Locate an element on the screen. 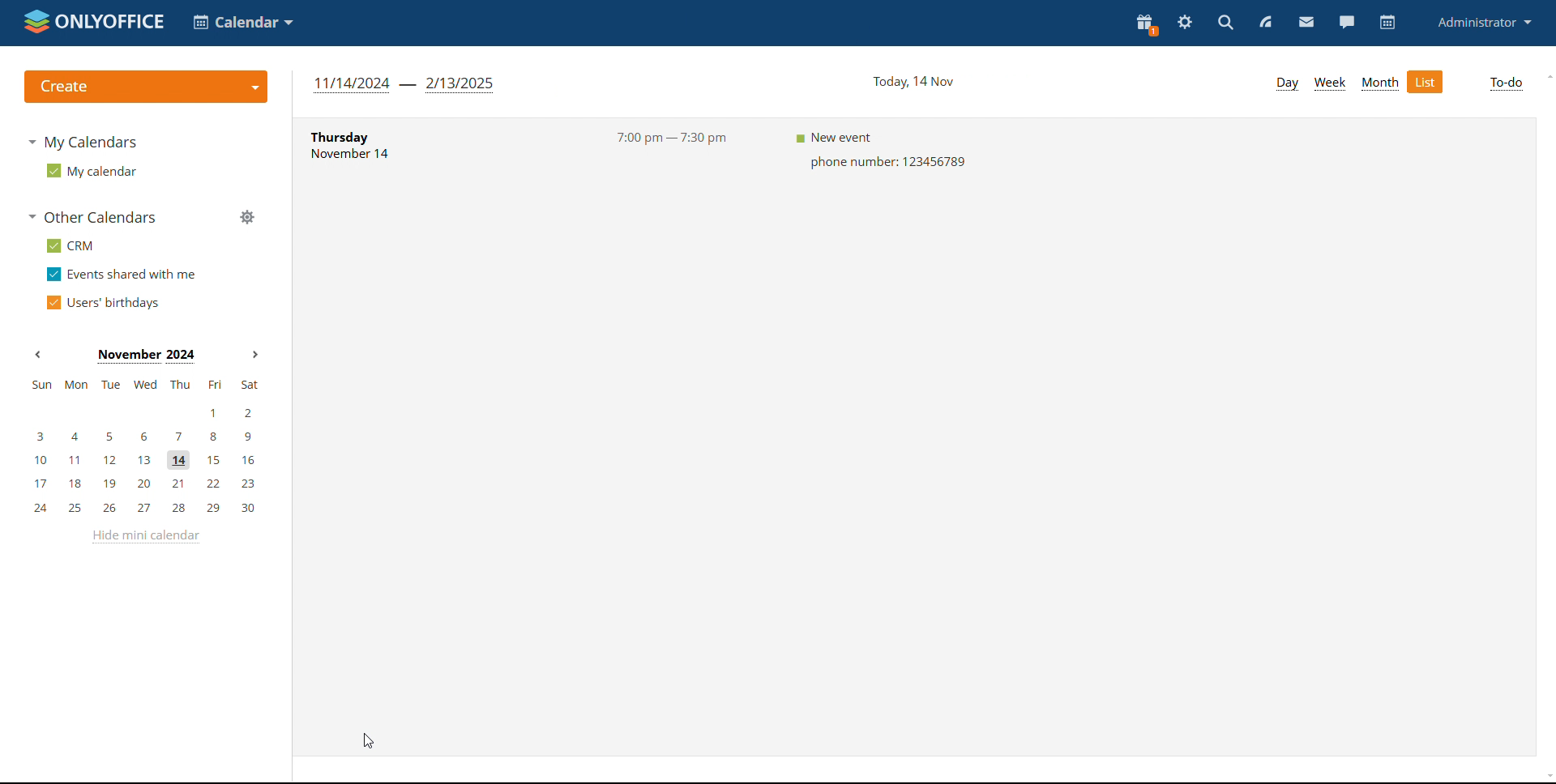 The image size is (1556, 784). cursor is located at coordinates (370, 739).